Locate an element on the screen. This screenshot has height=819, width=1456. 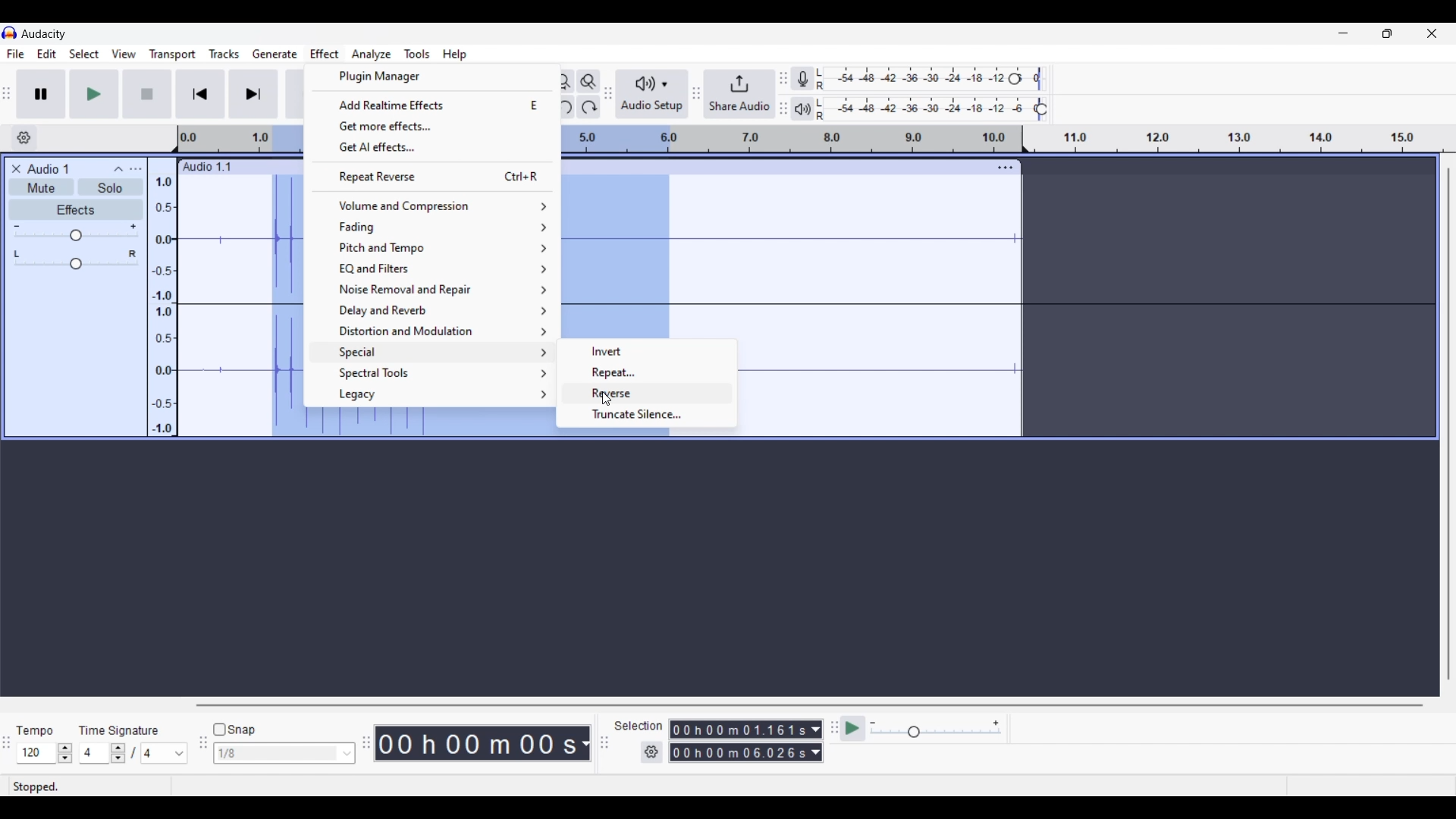
Portion of recorded audio track selected is located at coordinates (430, 425).